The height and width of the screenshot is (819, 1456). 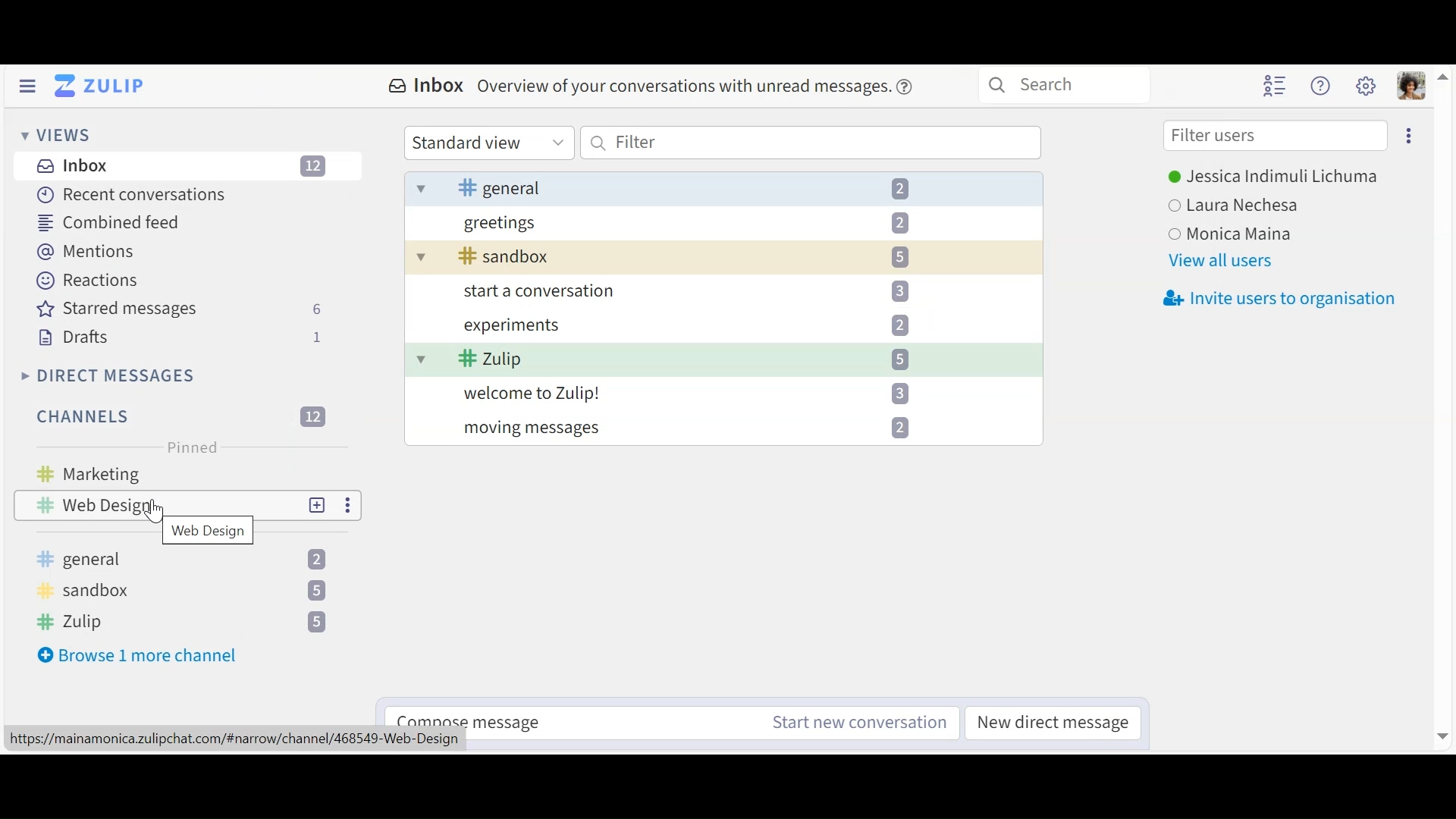 What do you see at coordinates (1277, 175) in the screenshot?
I see `Jessica Indimuli Lichuma` at bounding box center [1277, 175].